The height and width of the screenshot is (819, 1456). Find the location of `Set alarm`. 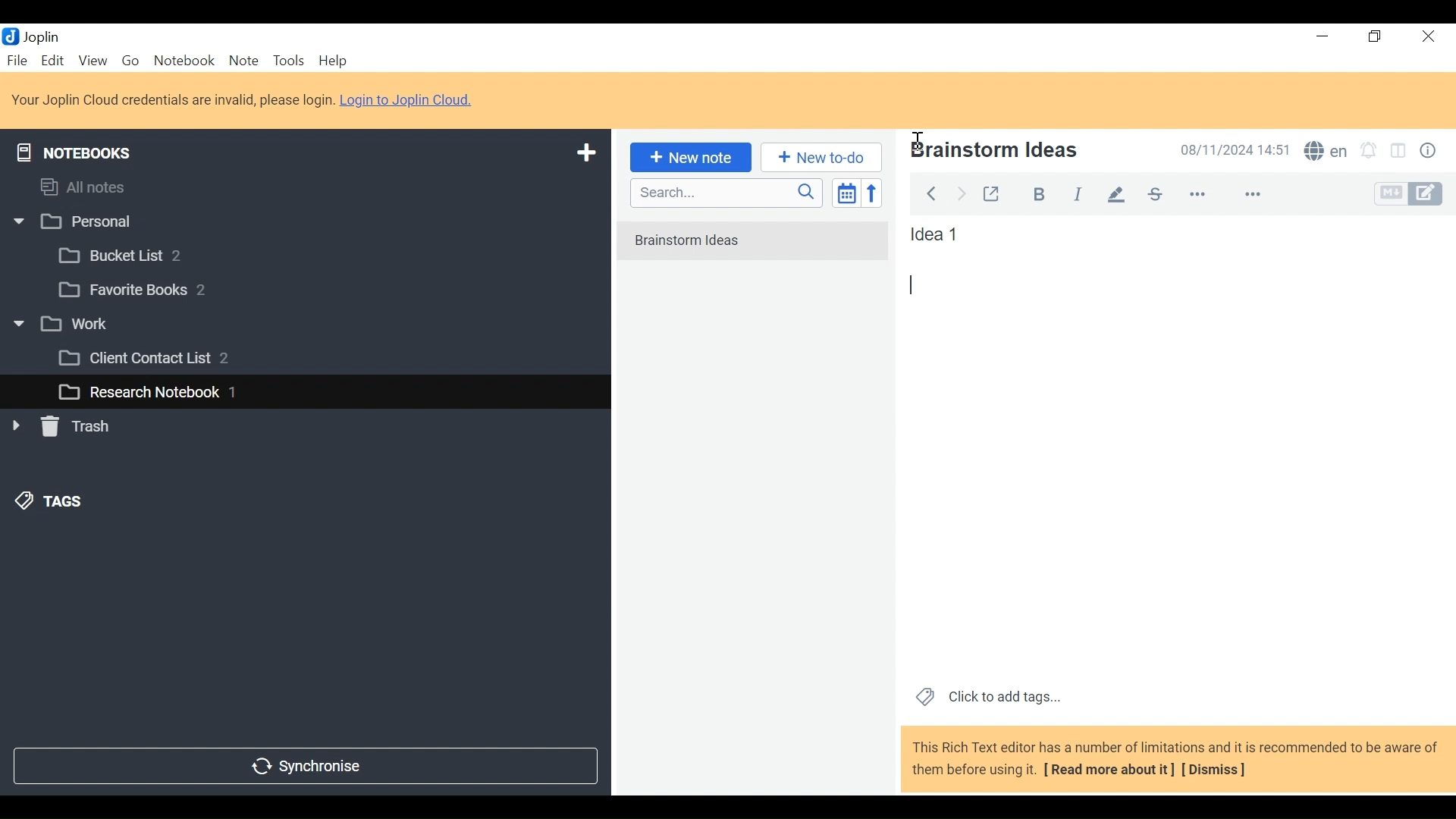

Set alarm is located at coordinates (1369, 152).